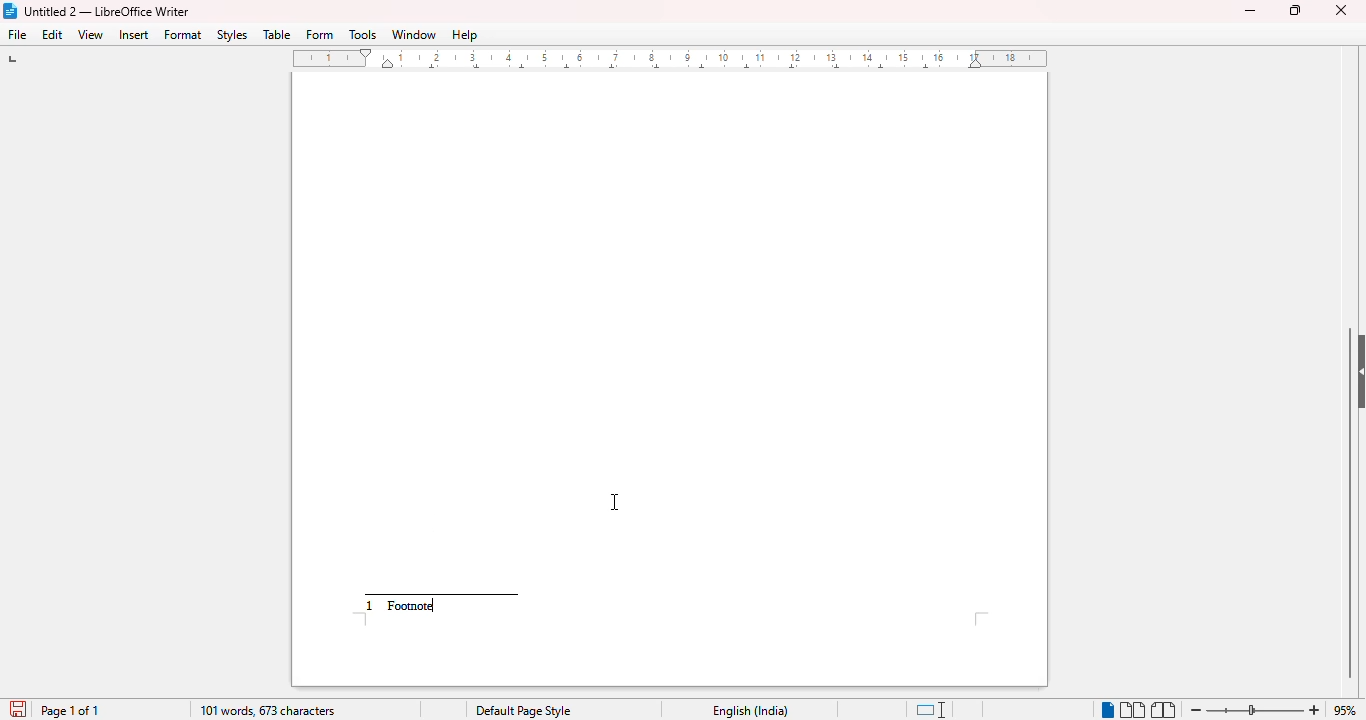  What do you see at coordinates (1315, 709) in the screenshot?
I see `zoom in` at bounding box center [1315, 709].